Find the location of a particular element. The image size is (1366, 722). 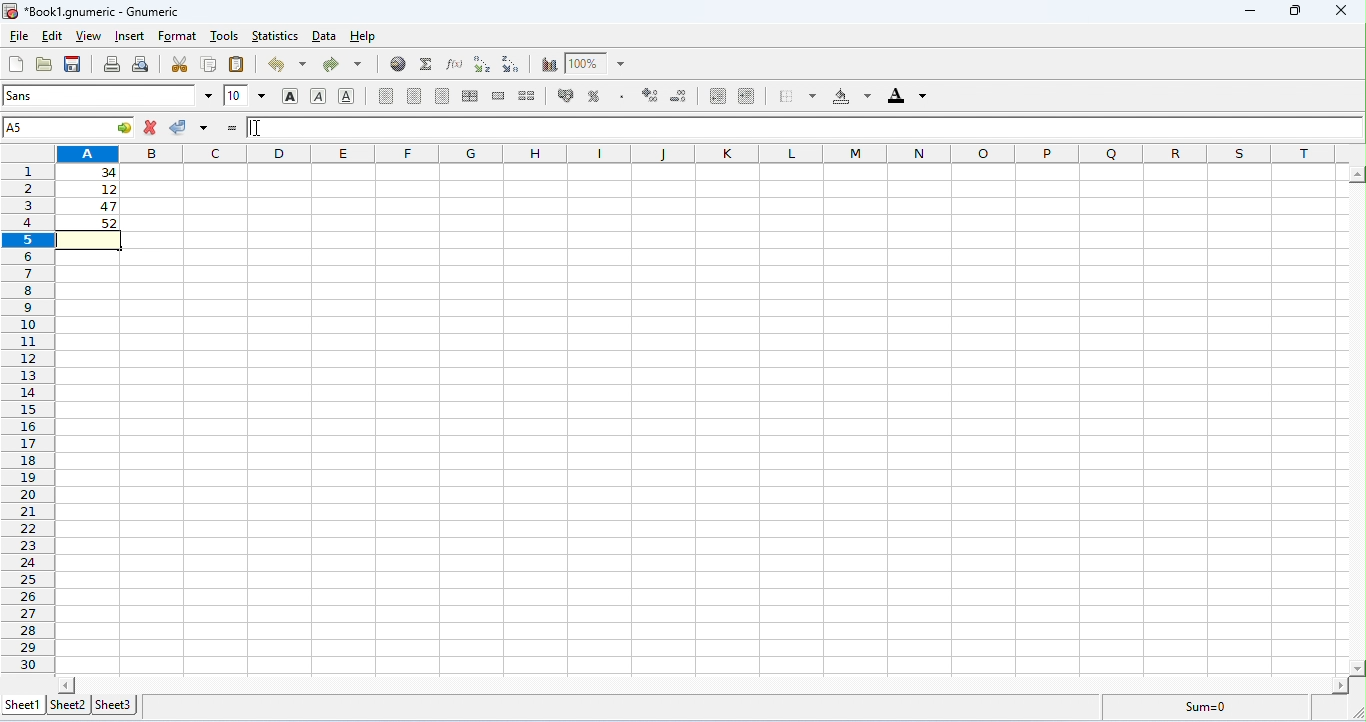

view is located at coordinates (89, 37).